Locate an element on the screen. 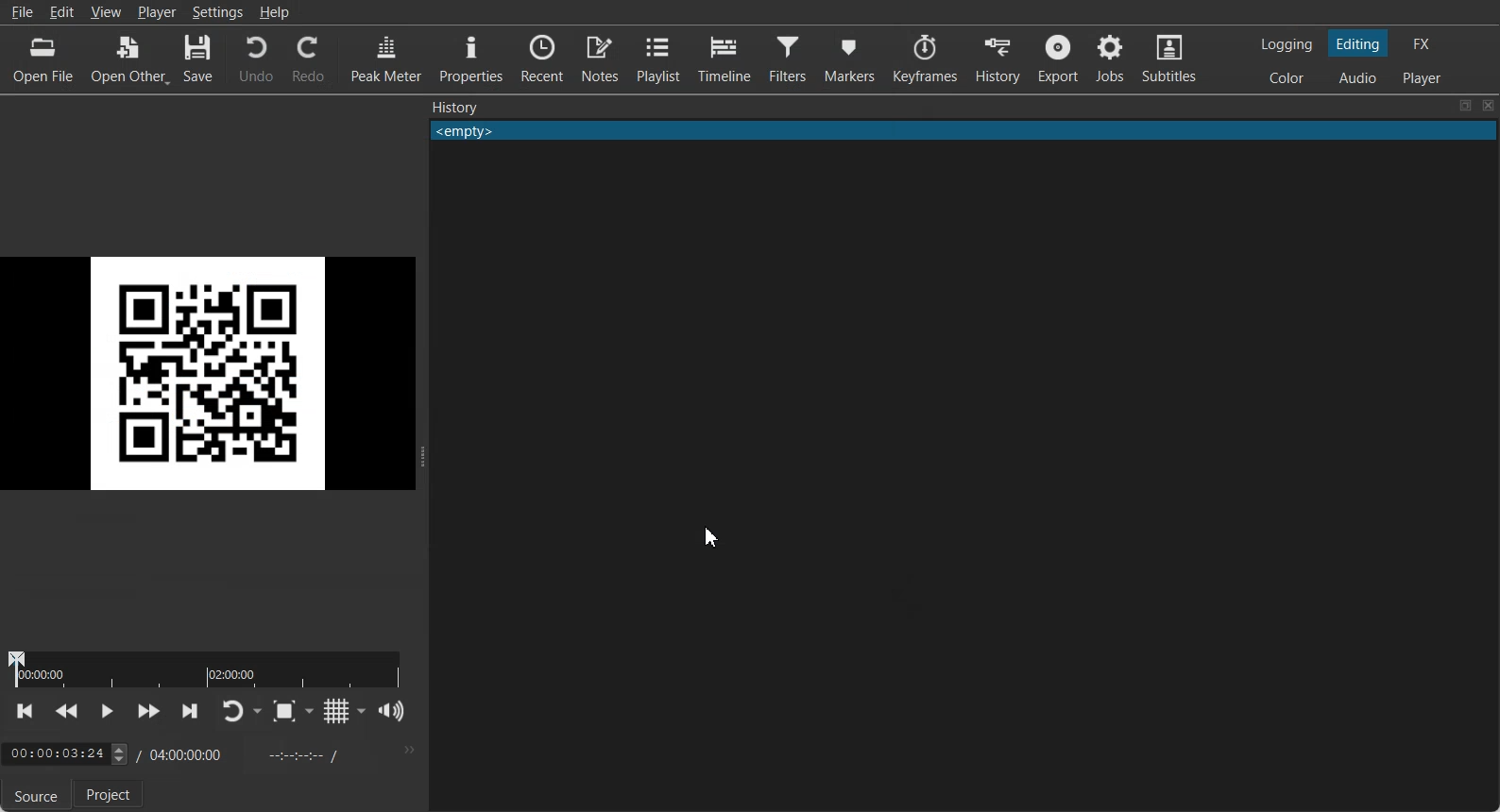  Redo is located at coordinates (309, 58).